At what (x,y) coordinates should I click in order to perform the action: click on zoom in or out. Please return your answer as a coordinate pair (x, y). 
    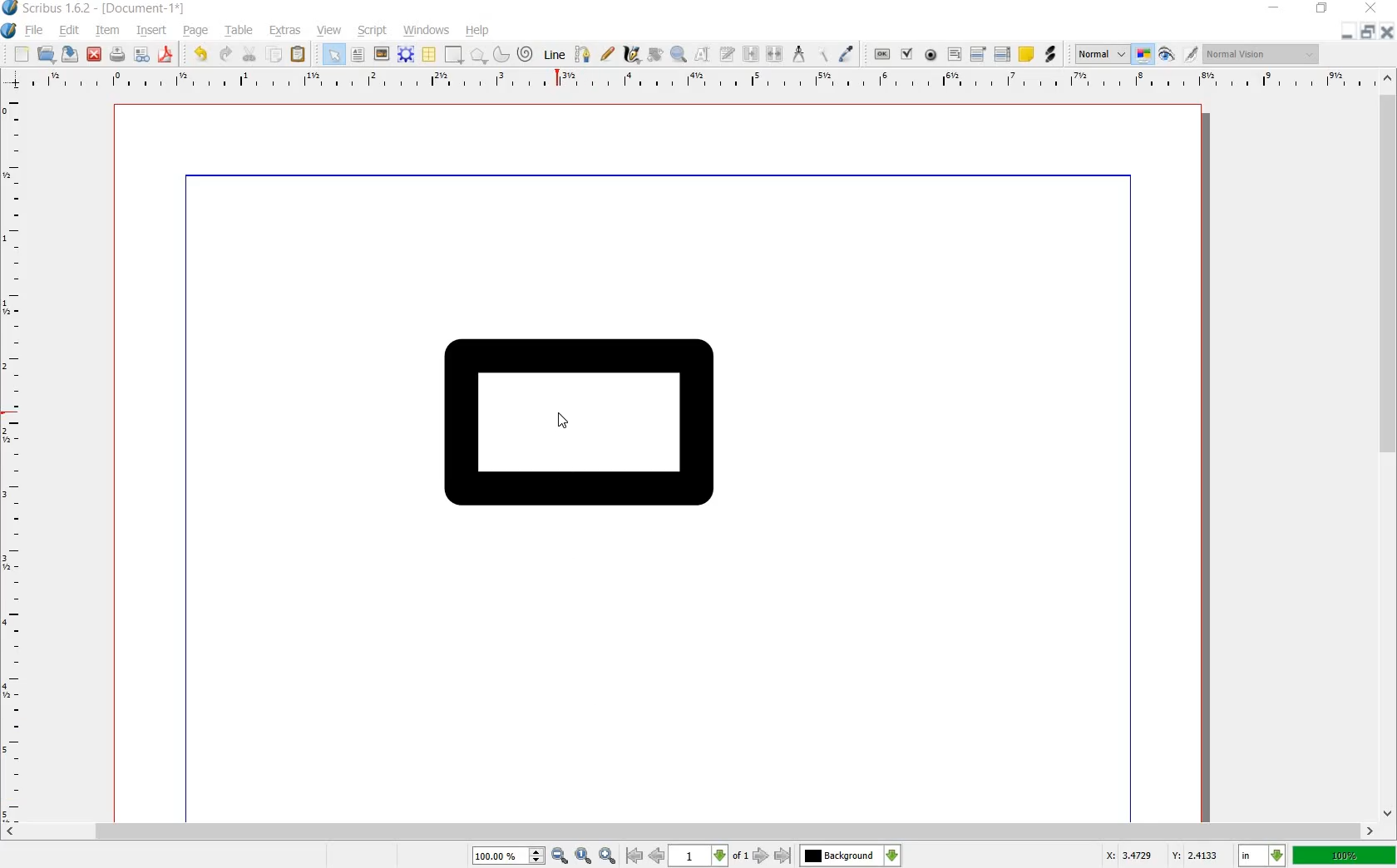
    Looking at the image, I should click on (678, 52).